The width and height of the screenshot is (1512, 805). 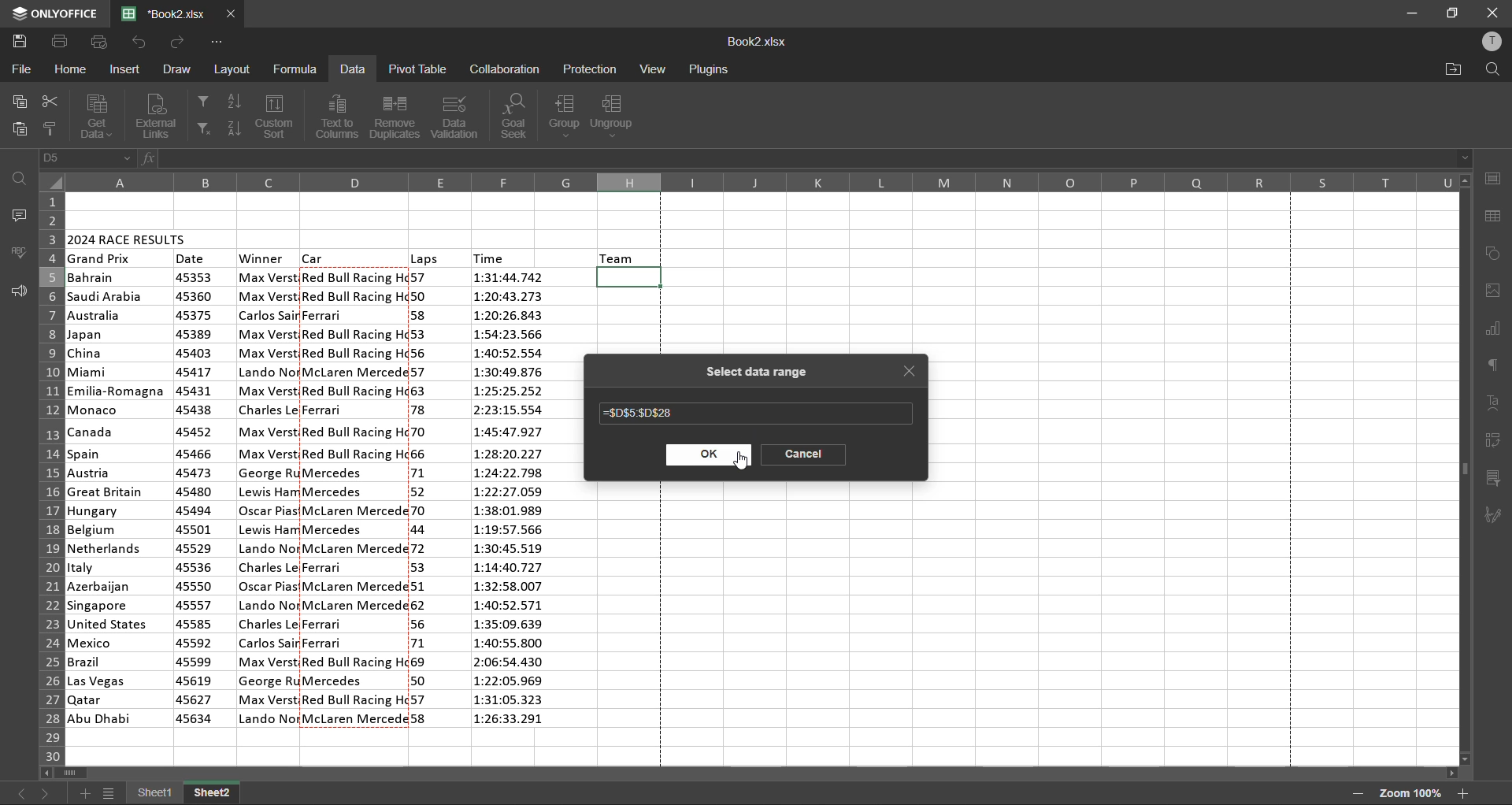 What do you see at coordinates (61, 42) in the screenshot?
I see `print` at bounding box center [61, 42].